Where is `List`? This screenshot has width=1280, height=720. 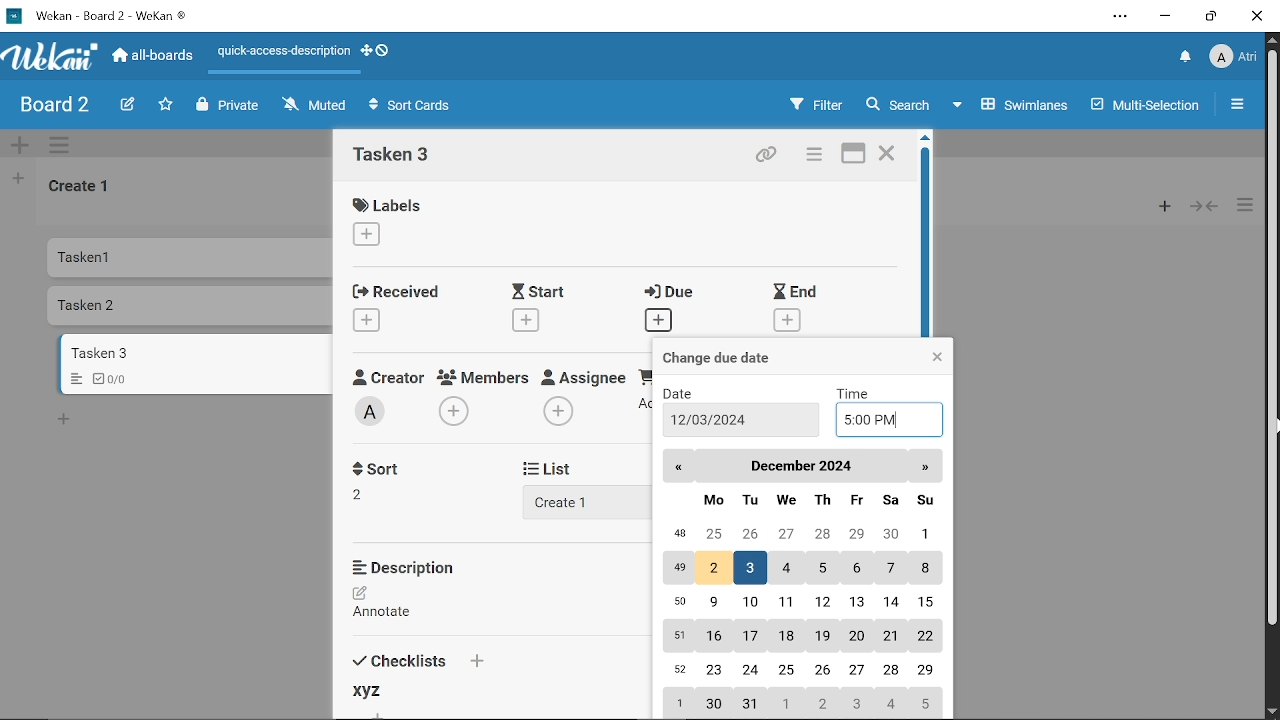
List is located at coordinates (560, 468).